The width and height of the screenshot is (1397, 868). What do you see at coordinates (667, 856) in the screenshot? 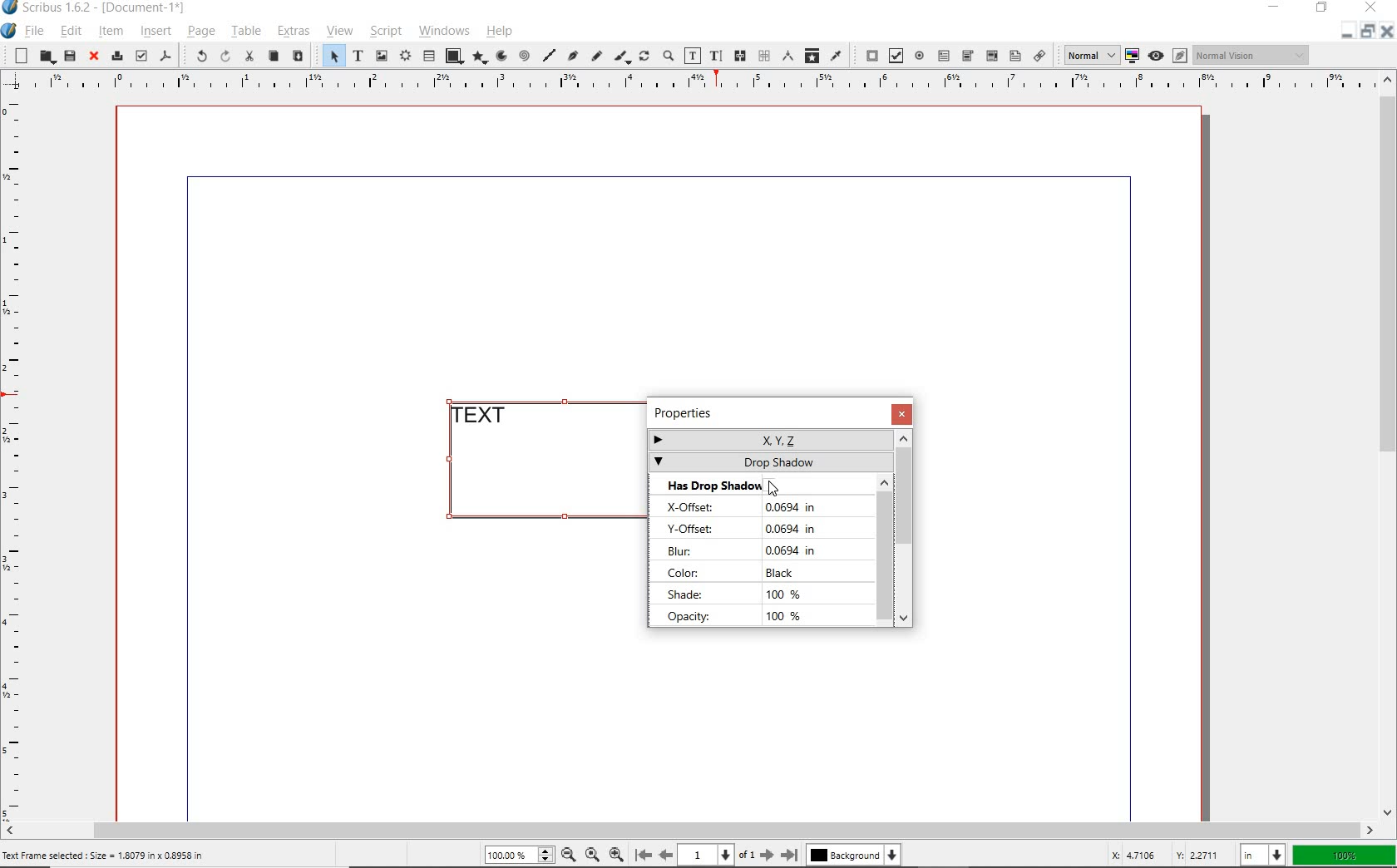
I see `Previous Page` at bounding box center [667, 856].